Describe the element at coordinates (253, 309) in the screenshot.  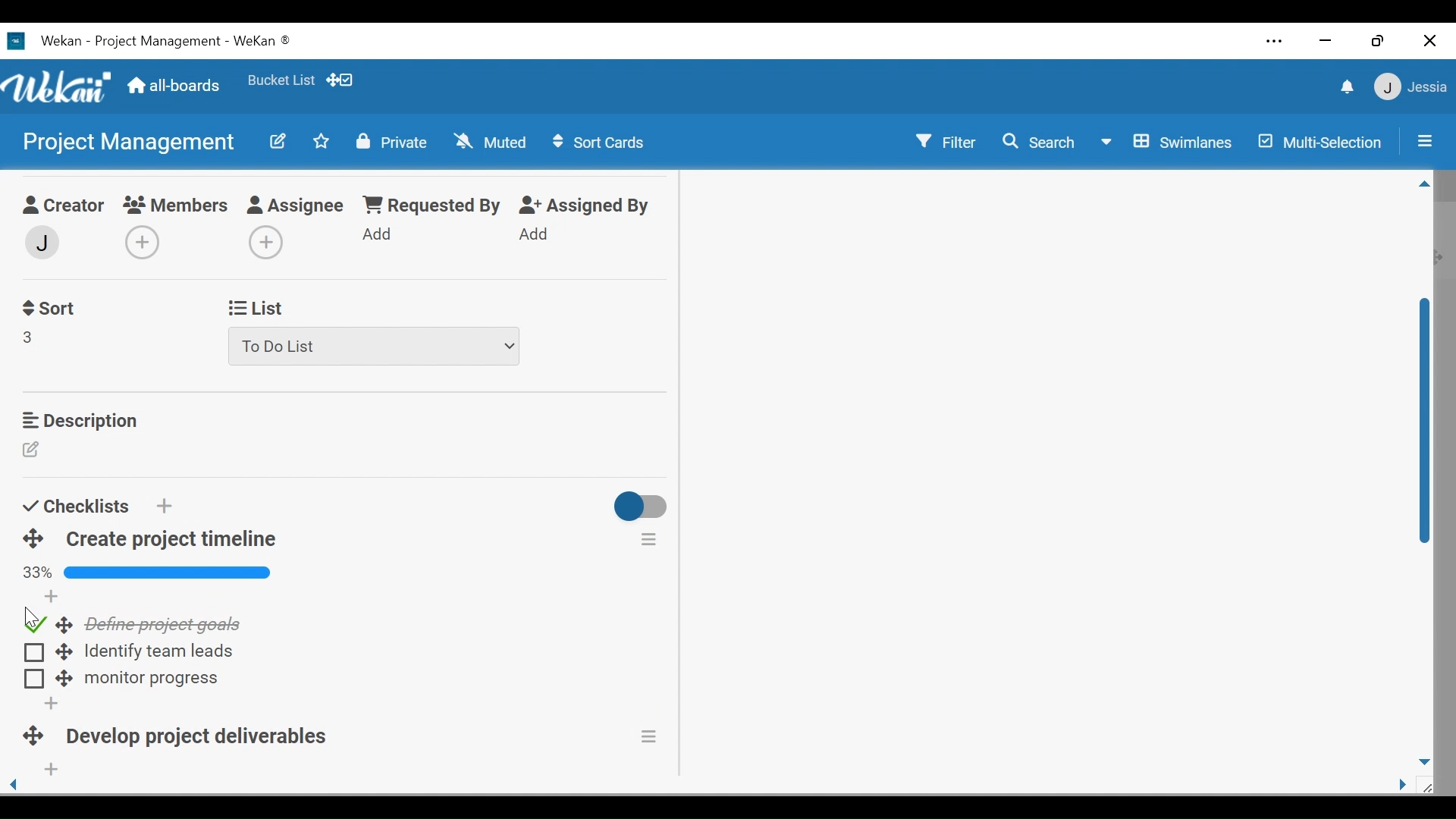
I see `List` at that location.